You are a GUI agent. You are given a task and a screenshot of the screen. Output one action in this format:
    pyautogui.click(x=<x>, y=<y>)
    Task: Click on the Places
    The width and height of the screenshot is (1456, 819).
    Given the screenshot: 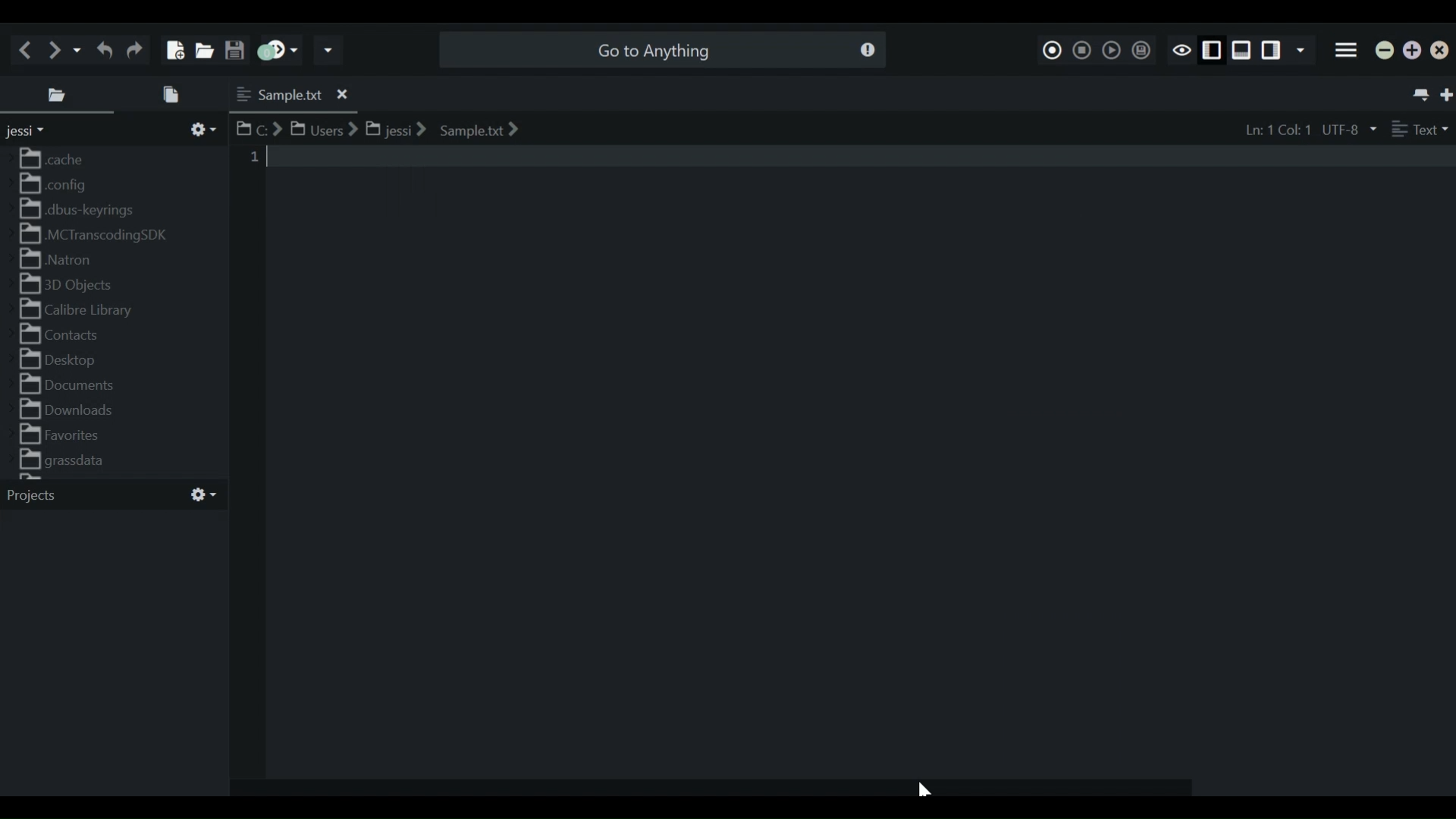 What is the action you would take?
    pyautogui.click(x=60, y=96)
    